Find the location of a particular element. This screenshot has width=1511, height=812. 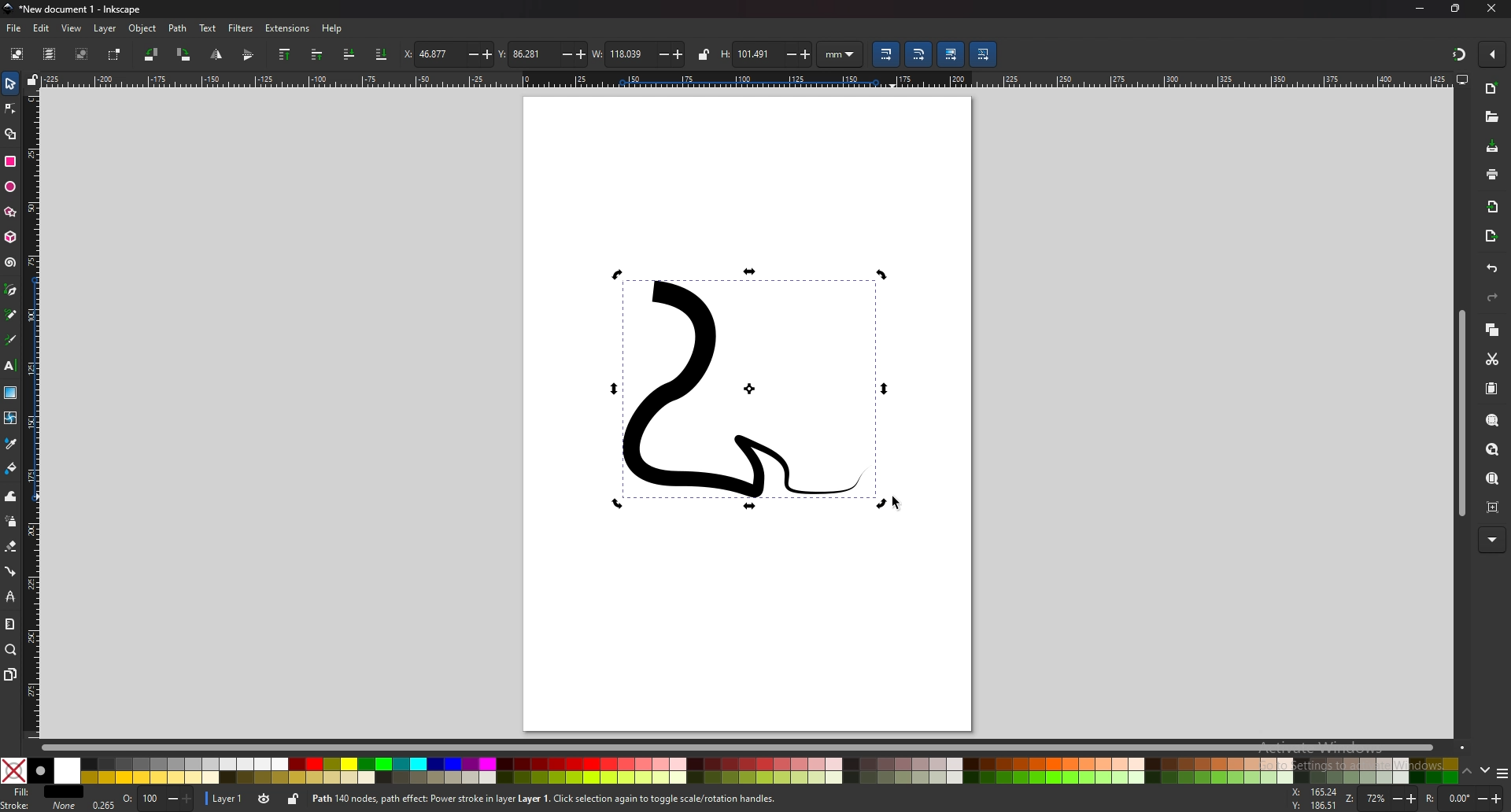

title is located at coordinates (78, 9).